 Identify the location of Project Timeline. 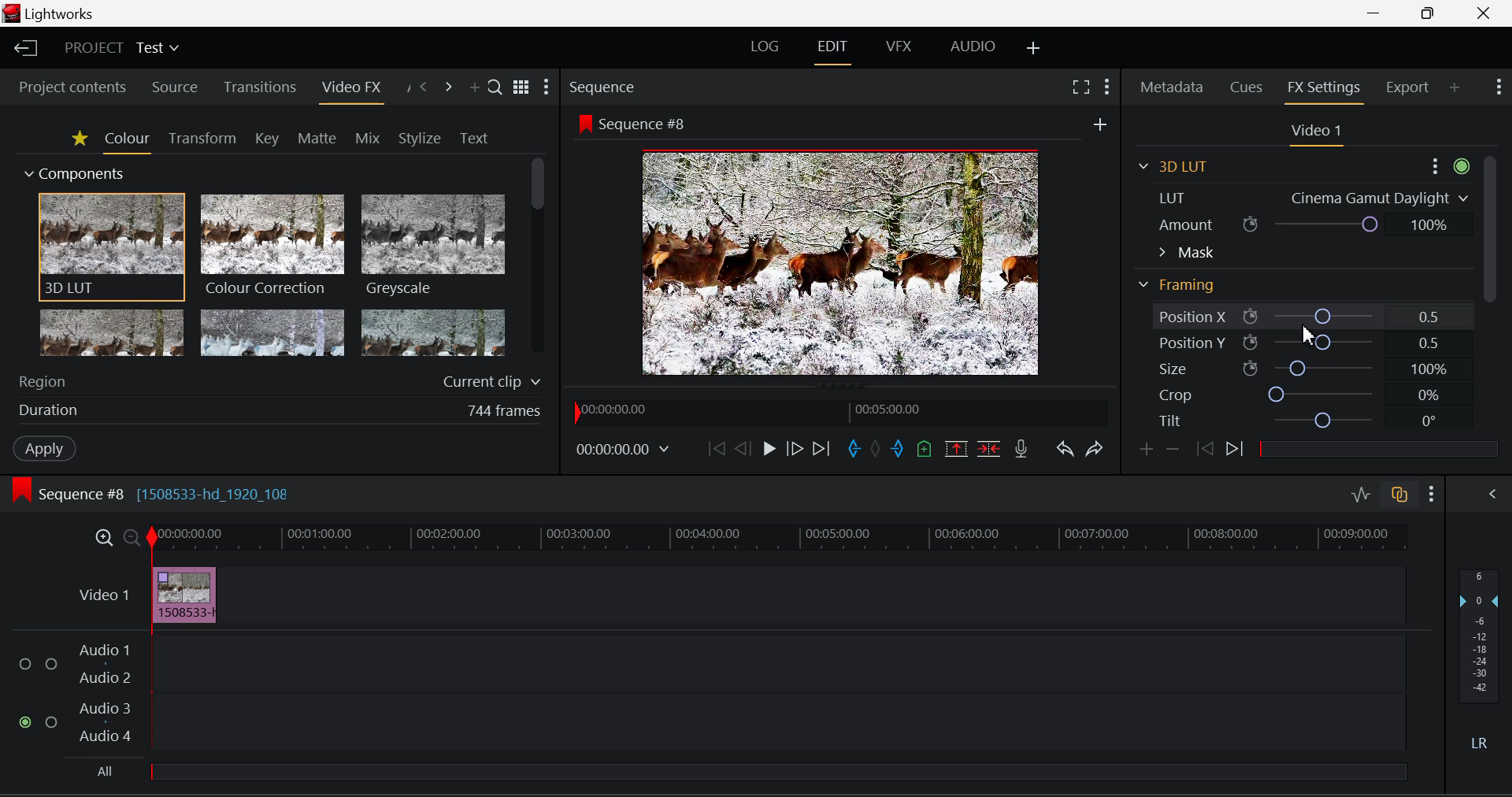
(780, 539).